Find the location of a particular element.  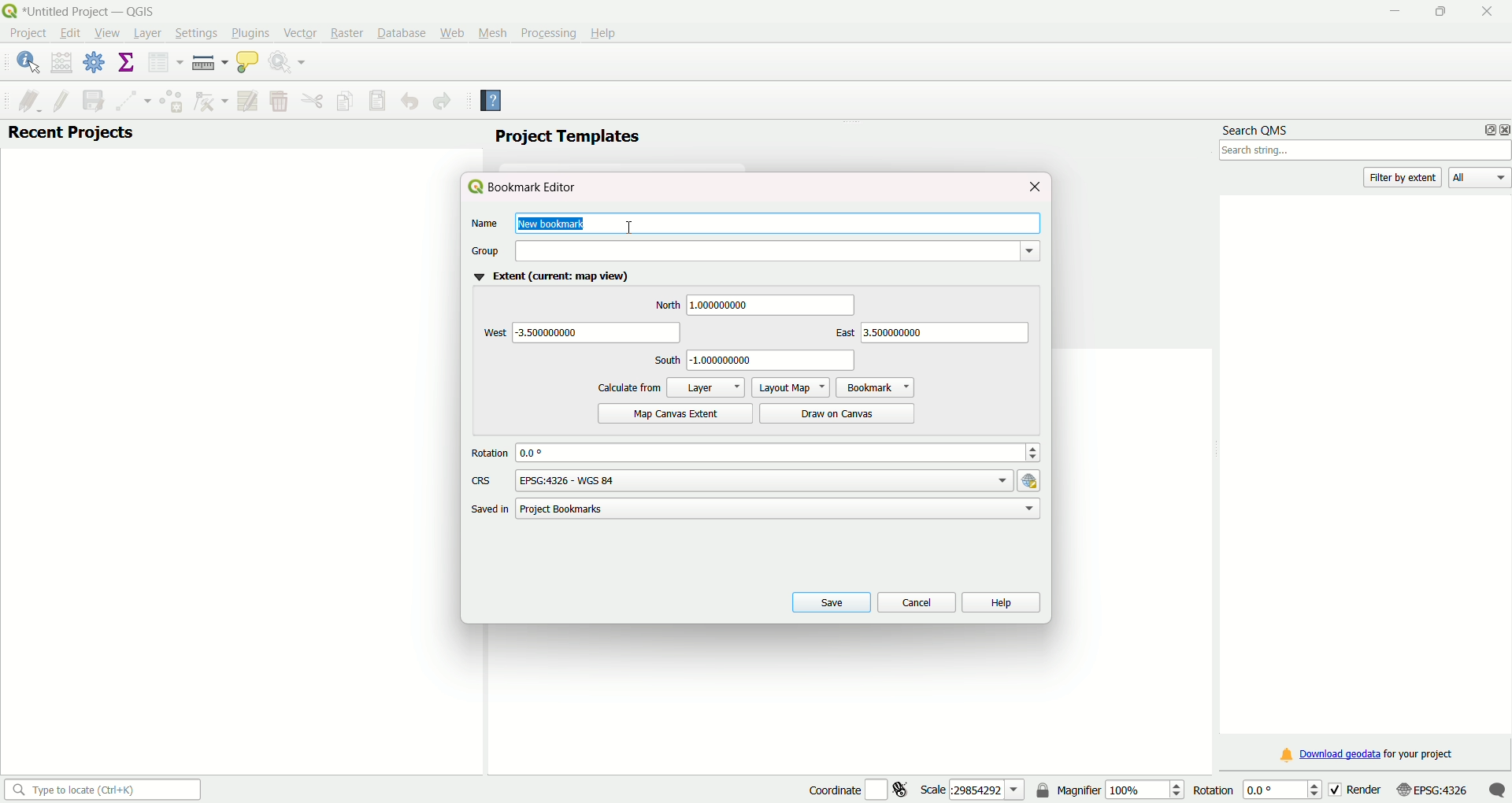

text box is located at coordinates (776, 223).